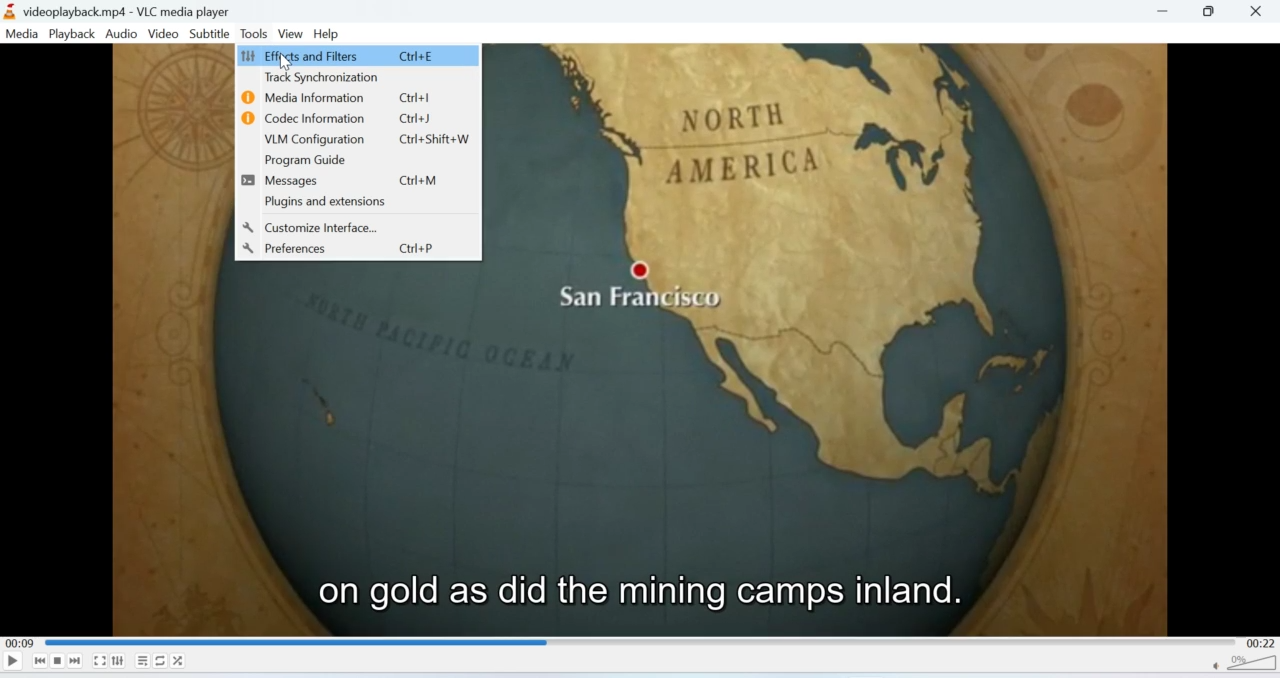 The height and width of the screenshot is (678, 1280). What do you see at coordinates (13, 660) in the screenshot?
I see `Play/Pause` at bounding box center [13, 660].